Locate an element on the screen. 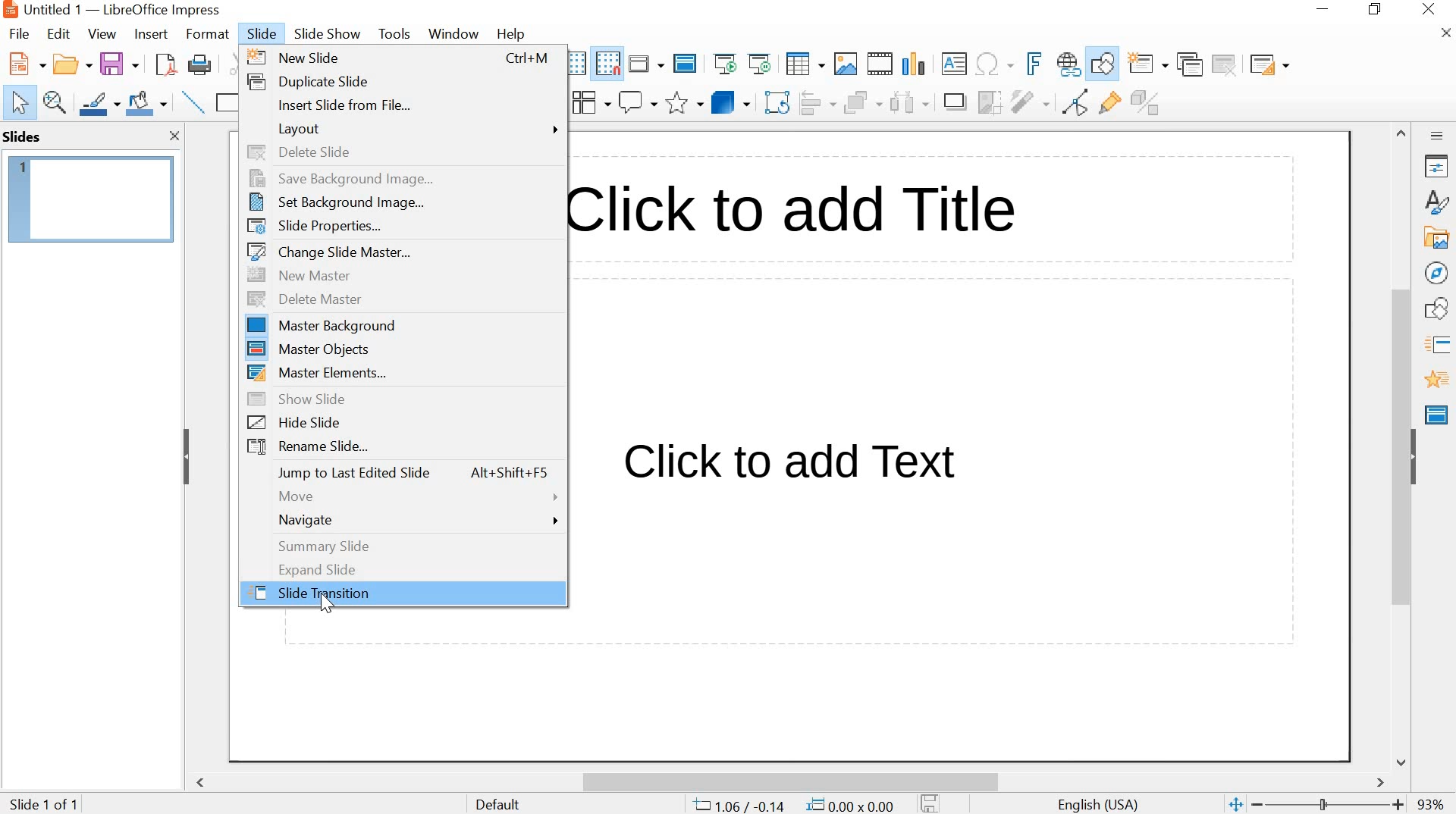 Image resolution: width=1456 pixels, height=814 pixels. Snap to grid is located at coordinates (606, 64).